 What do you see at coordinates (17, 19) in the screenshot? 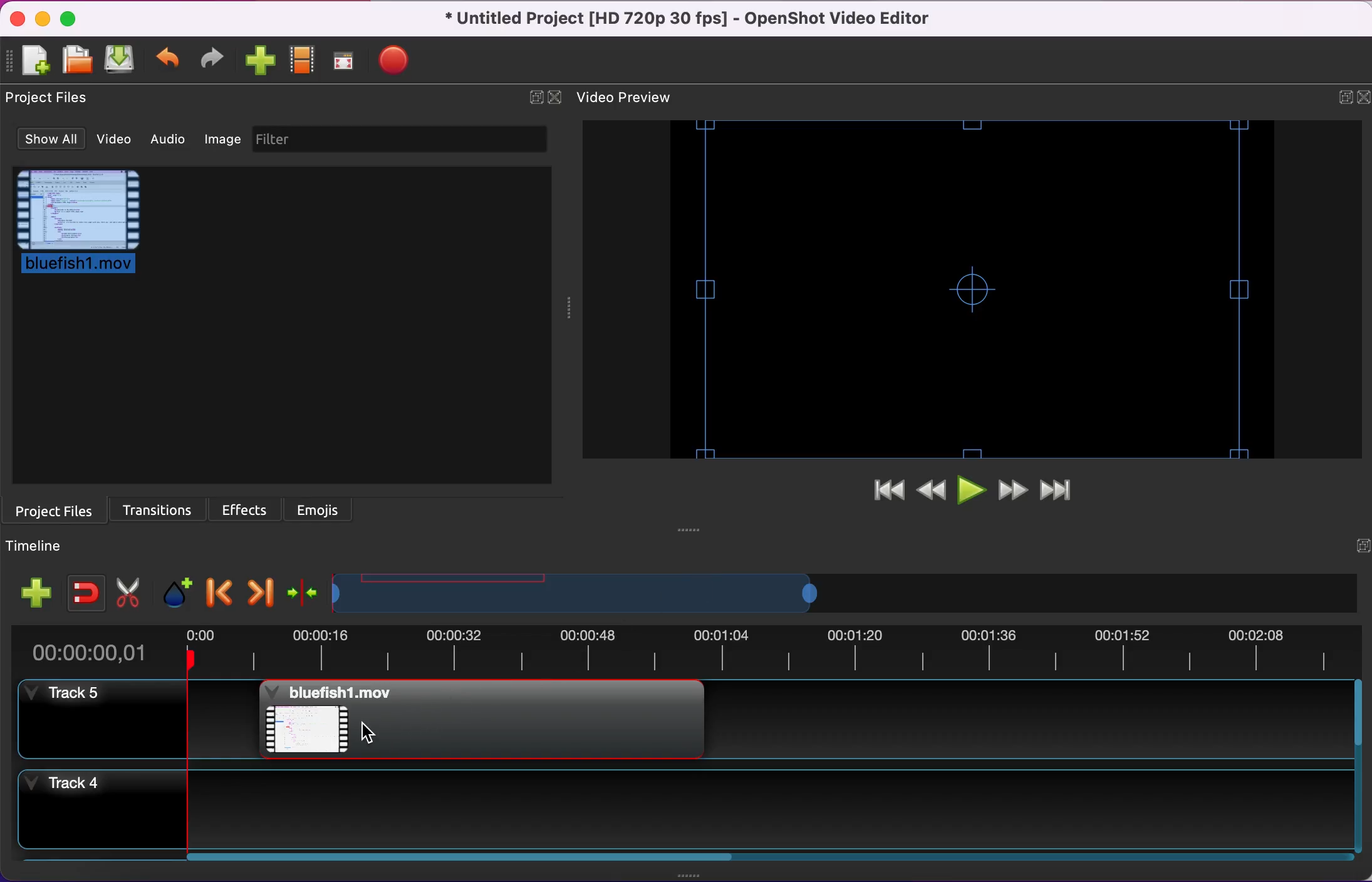
I see `close` at bounding box center [17, 19].